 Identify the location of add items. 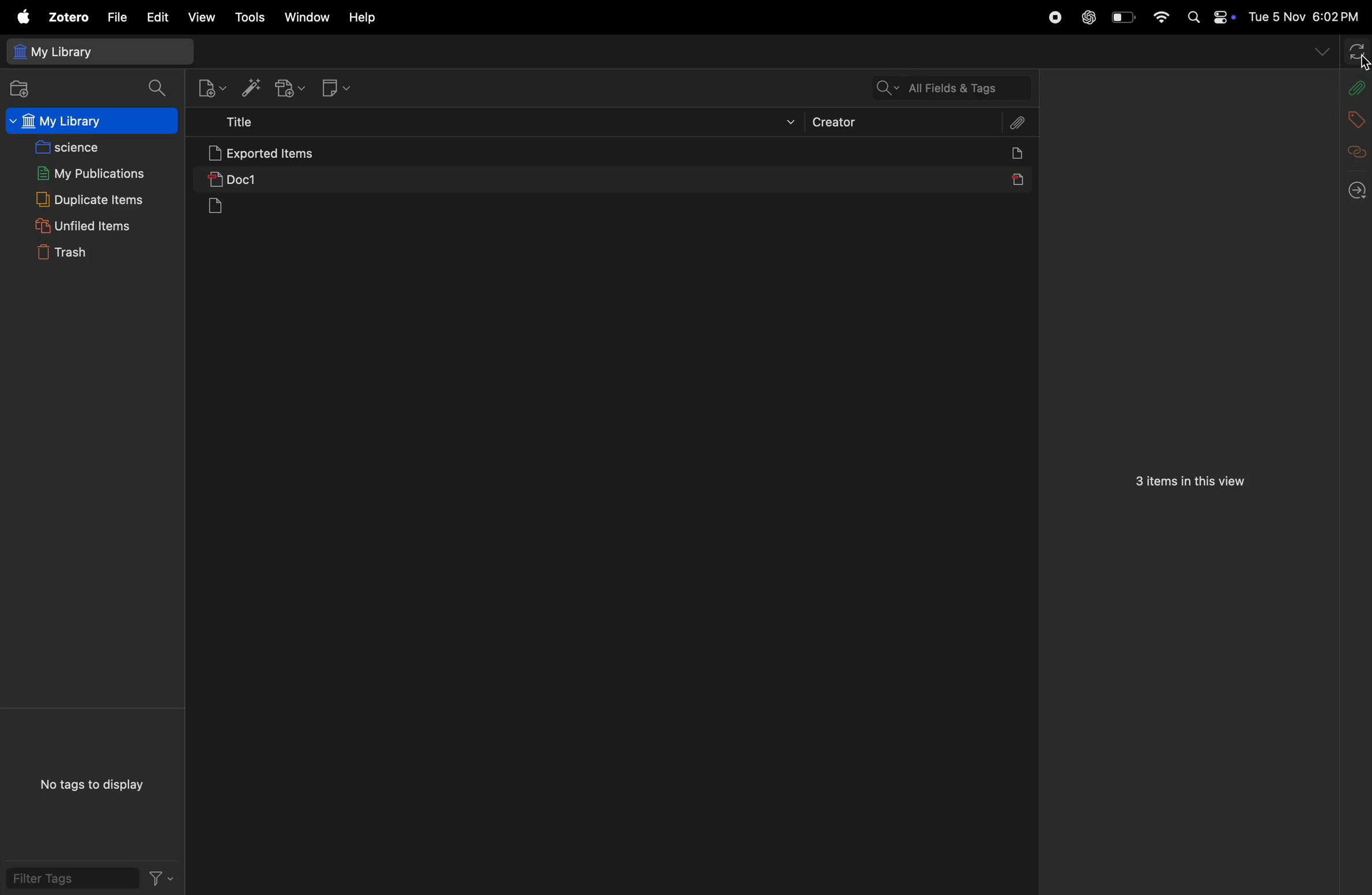
(252, 87).